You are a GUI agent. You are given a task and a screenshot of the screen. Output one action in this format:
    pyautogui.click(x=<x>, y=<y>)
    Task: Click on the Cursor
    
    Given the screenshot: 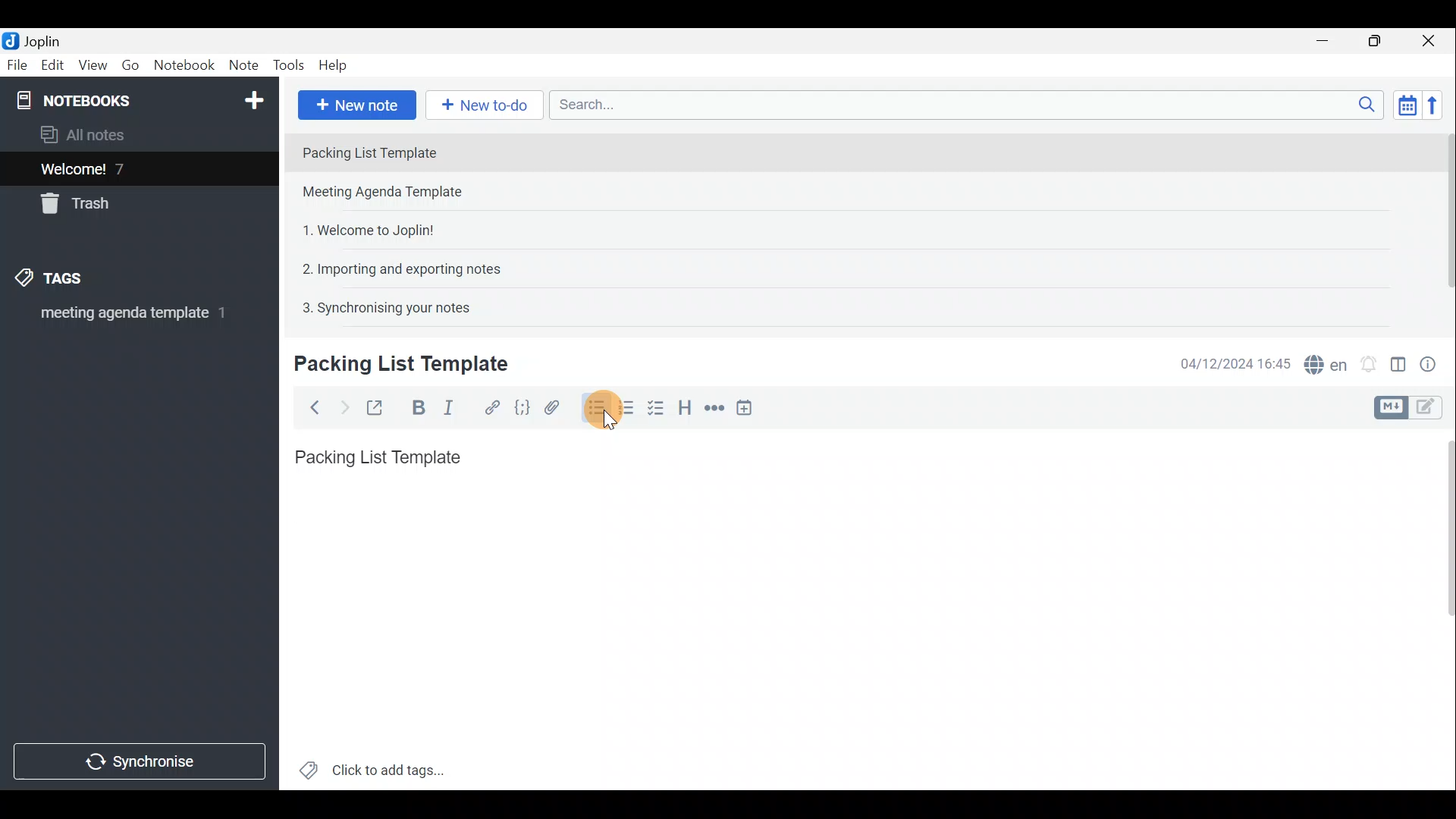 What is the action you would take?
    pyautogui.click(x=599, y=420)
    